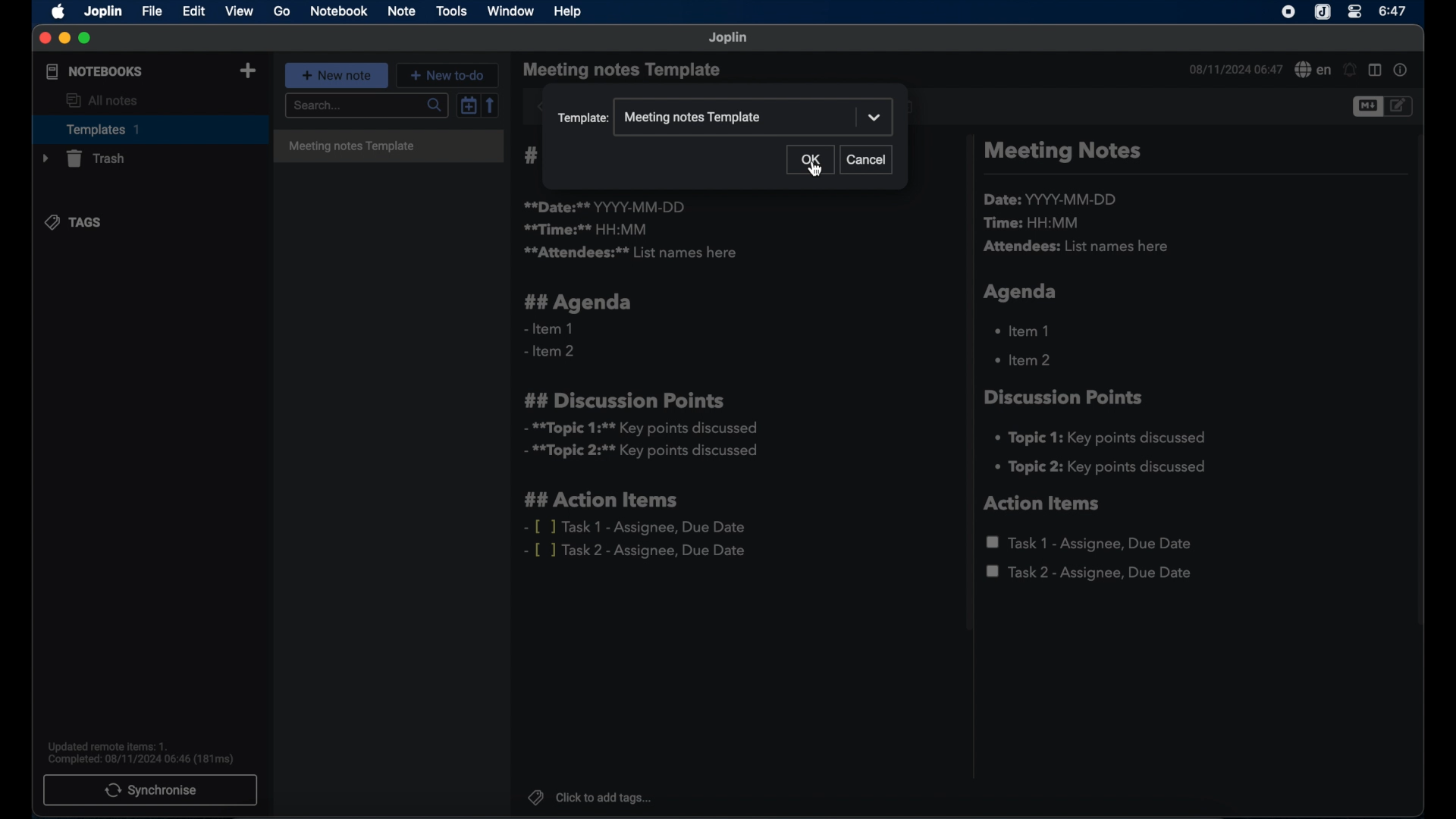  Describe the element at coordinates (875, 118) in the screenshot. I see `dropdown menu ` at that location.